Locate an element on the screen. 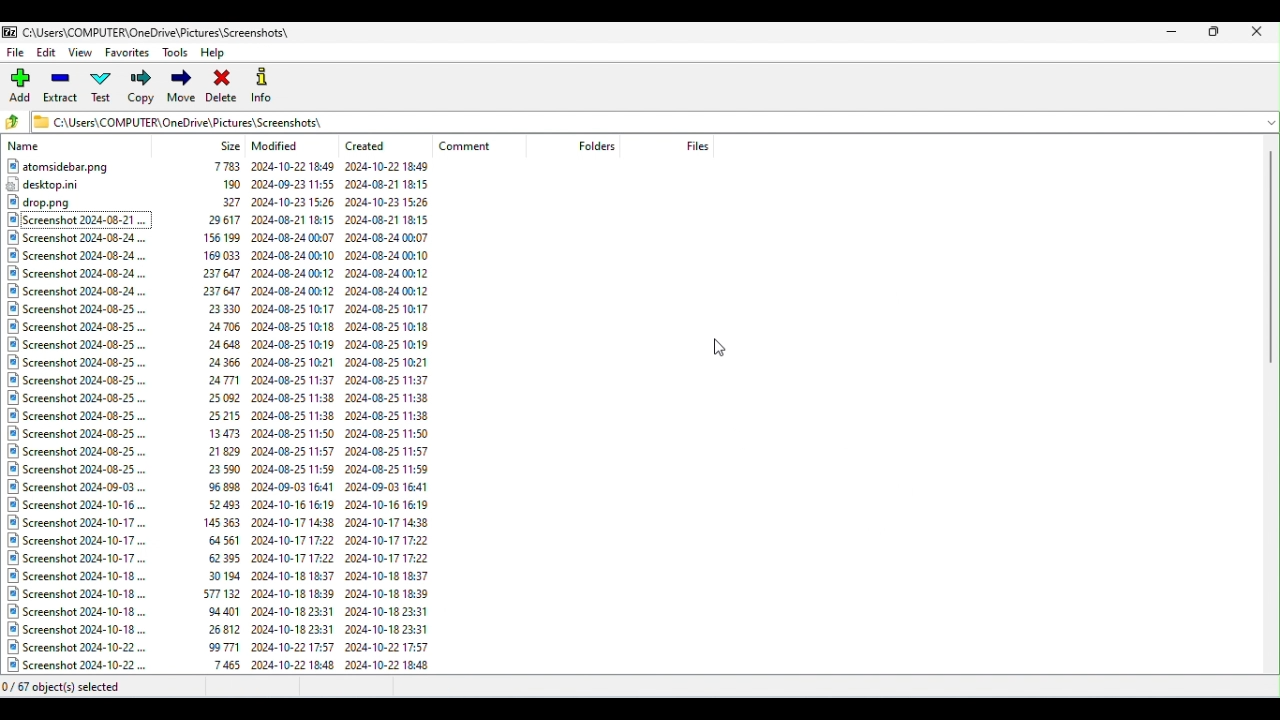 This screenshot has width=1280, height=720. Help is located at coordinates (218, 51).